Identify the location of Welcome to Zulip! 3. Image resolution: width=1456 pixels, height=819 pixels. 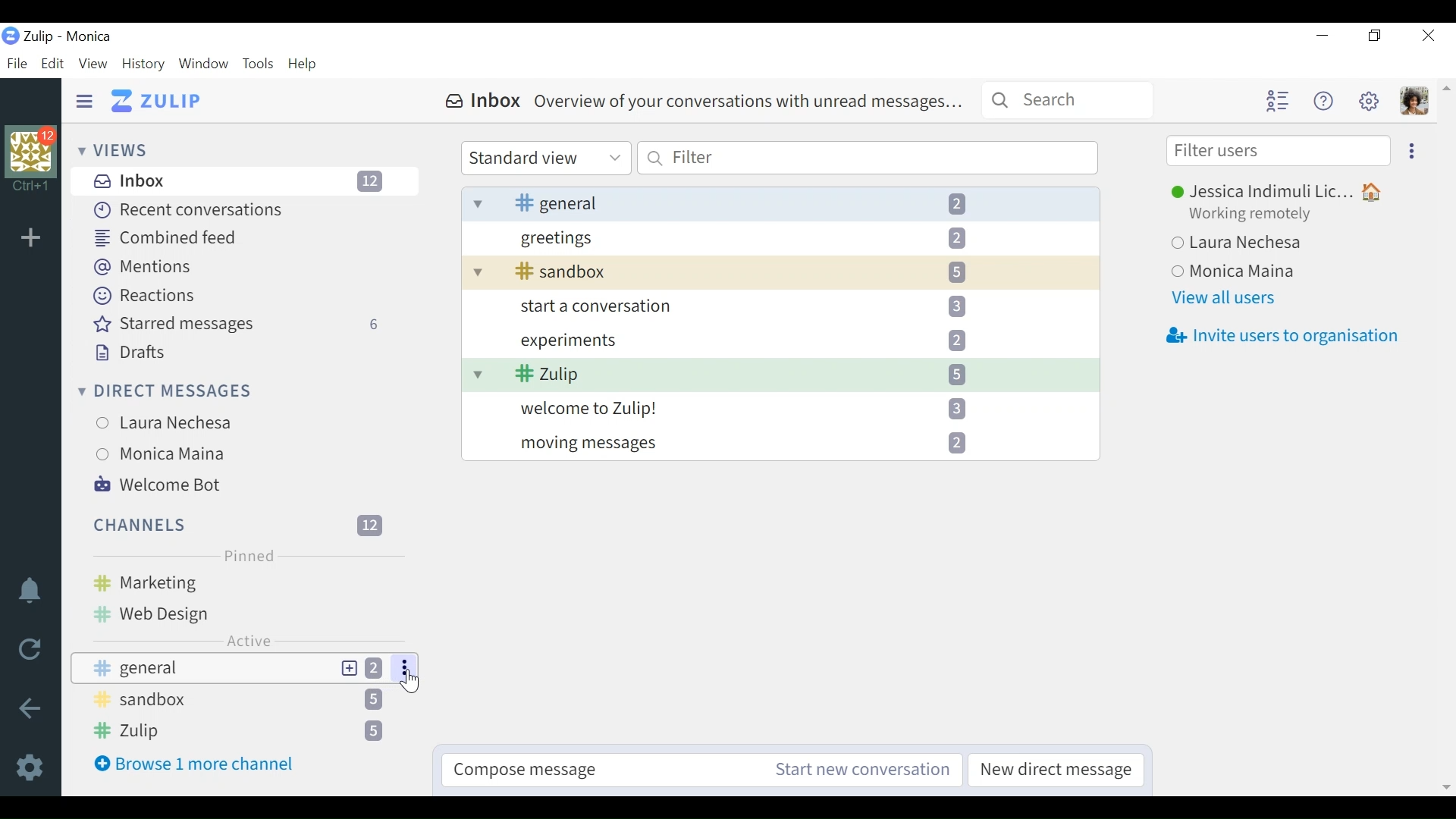
(780, 407).